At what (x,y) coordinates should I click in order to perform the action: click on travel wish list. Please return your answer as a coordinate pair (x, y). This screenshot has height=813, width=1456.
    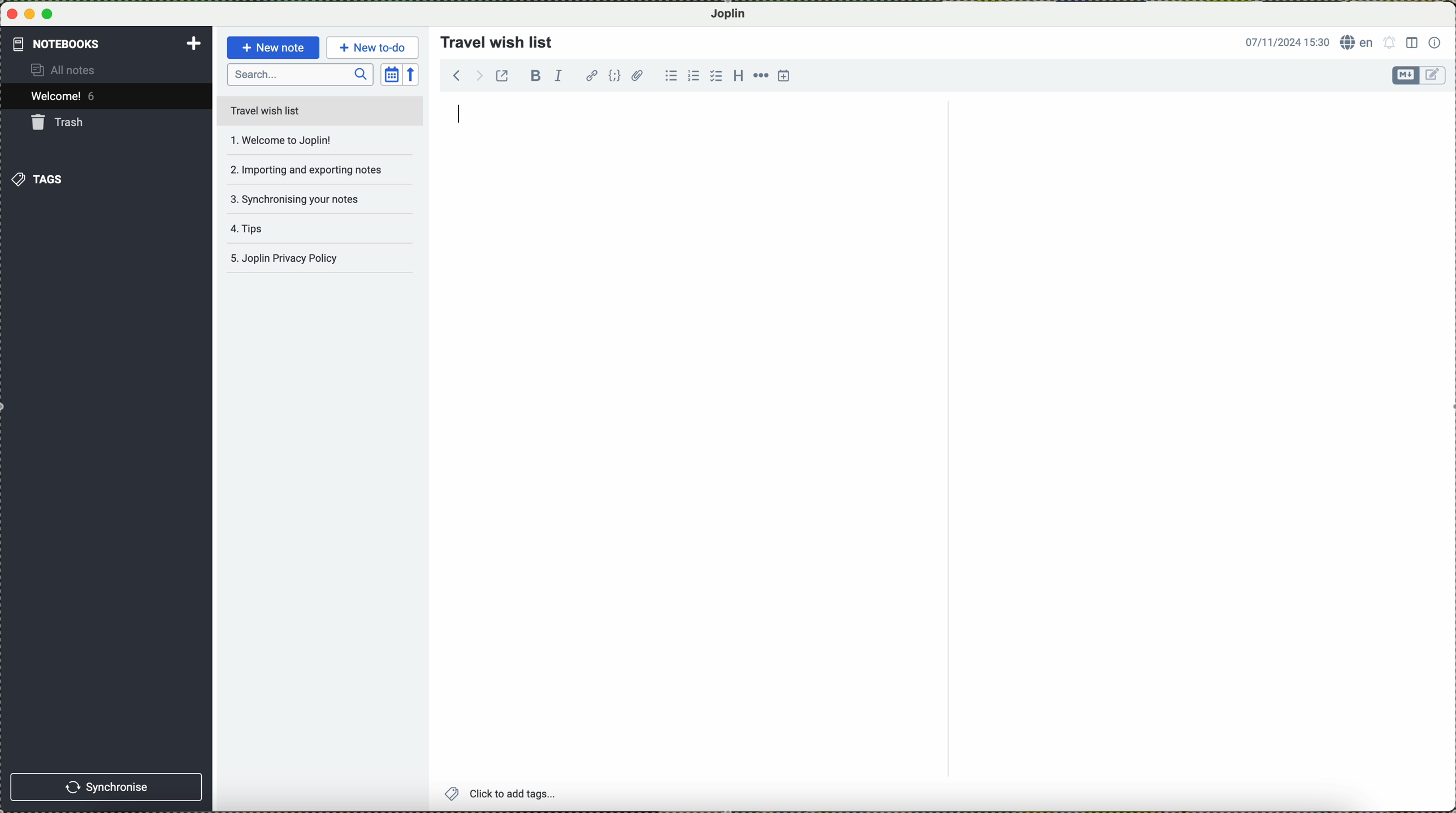
    Looking at the image, I should click on (492, 38).